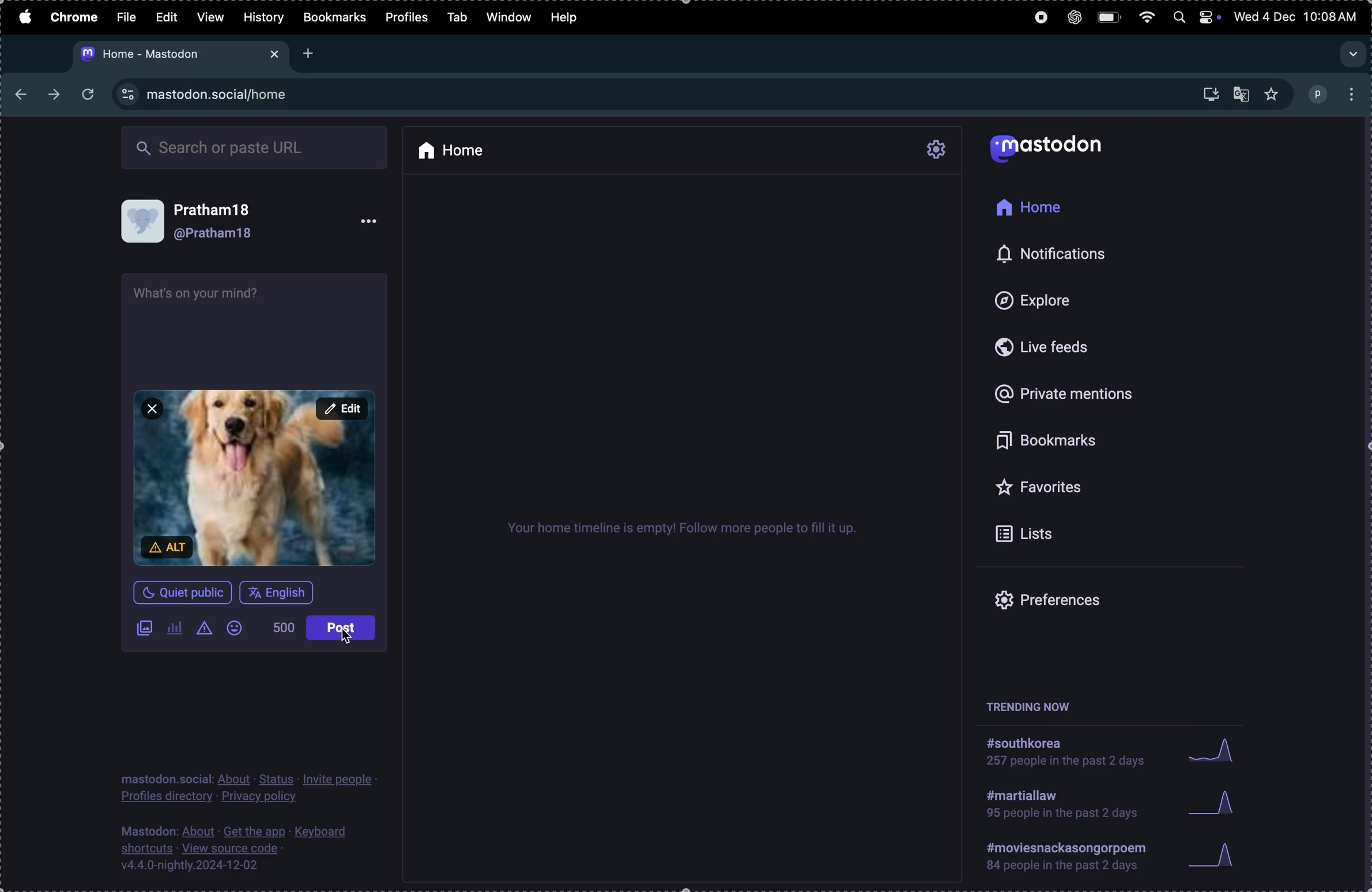  I want to click on Trending now, so click(1024, 703).